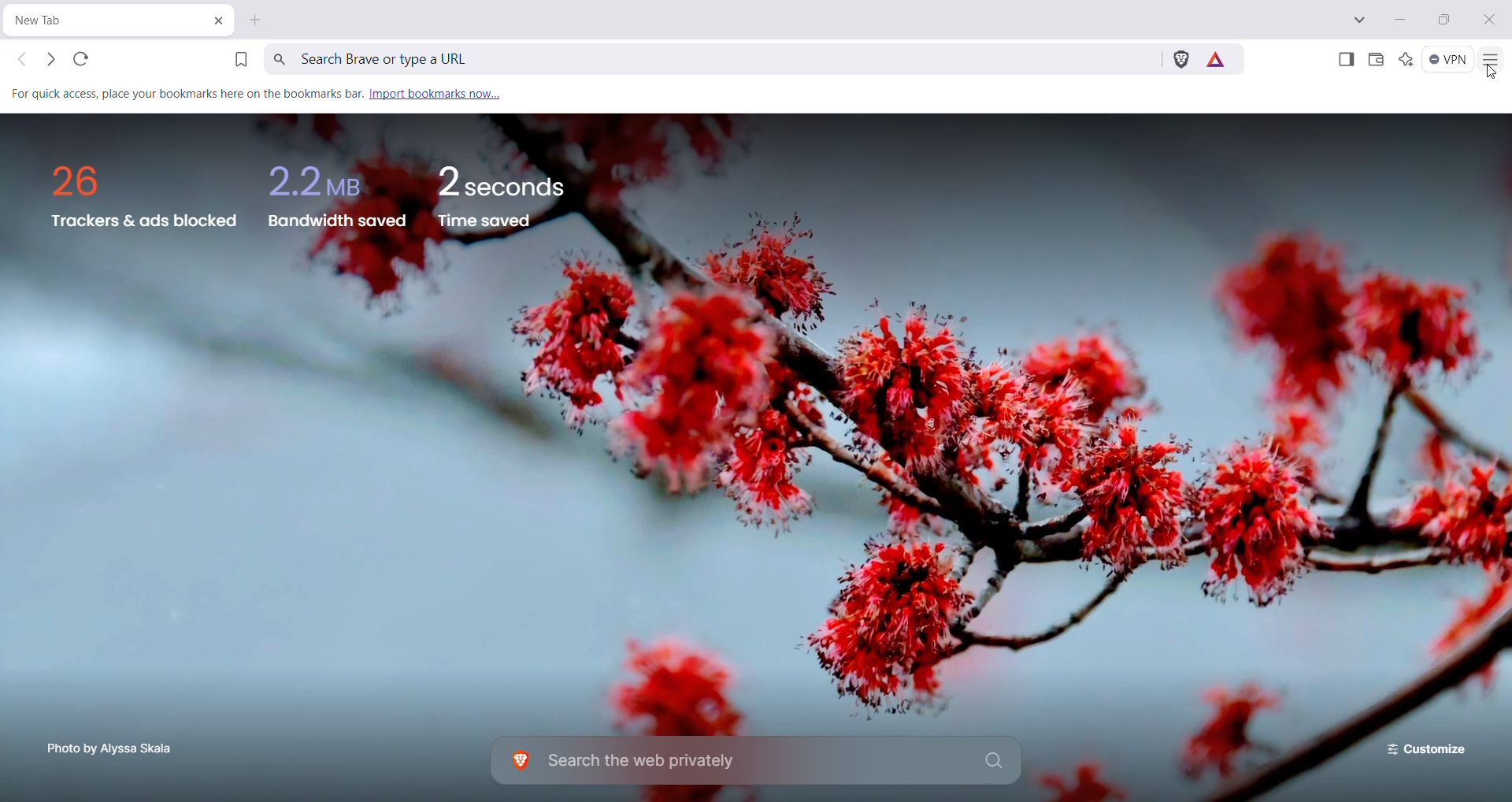 The width and height of the screenshot is (1512, 802). Describe the element at coordinates (18, 61) in the screenshot. I see `Click to go back, hold to see history` at that location.